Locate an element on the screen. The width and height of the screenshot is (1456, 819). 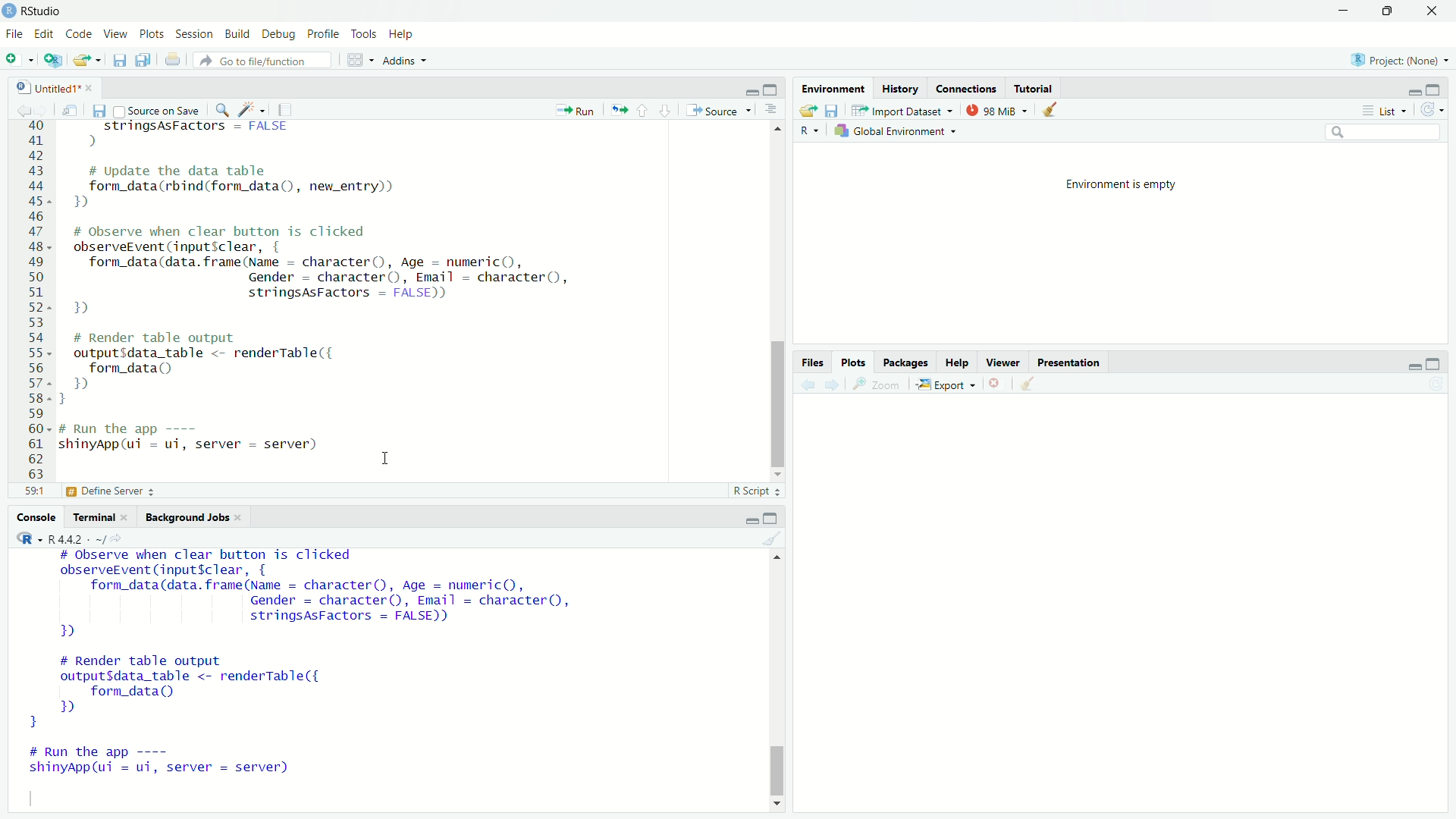
logo is located at coordinates (9, 10).